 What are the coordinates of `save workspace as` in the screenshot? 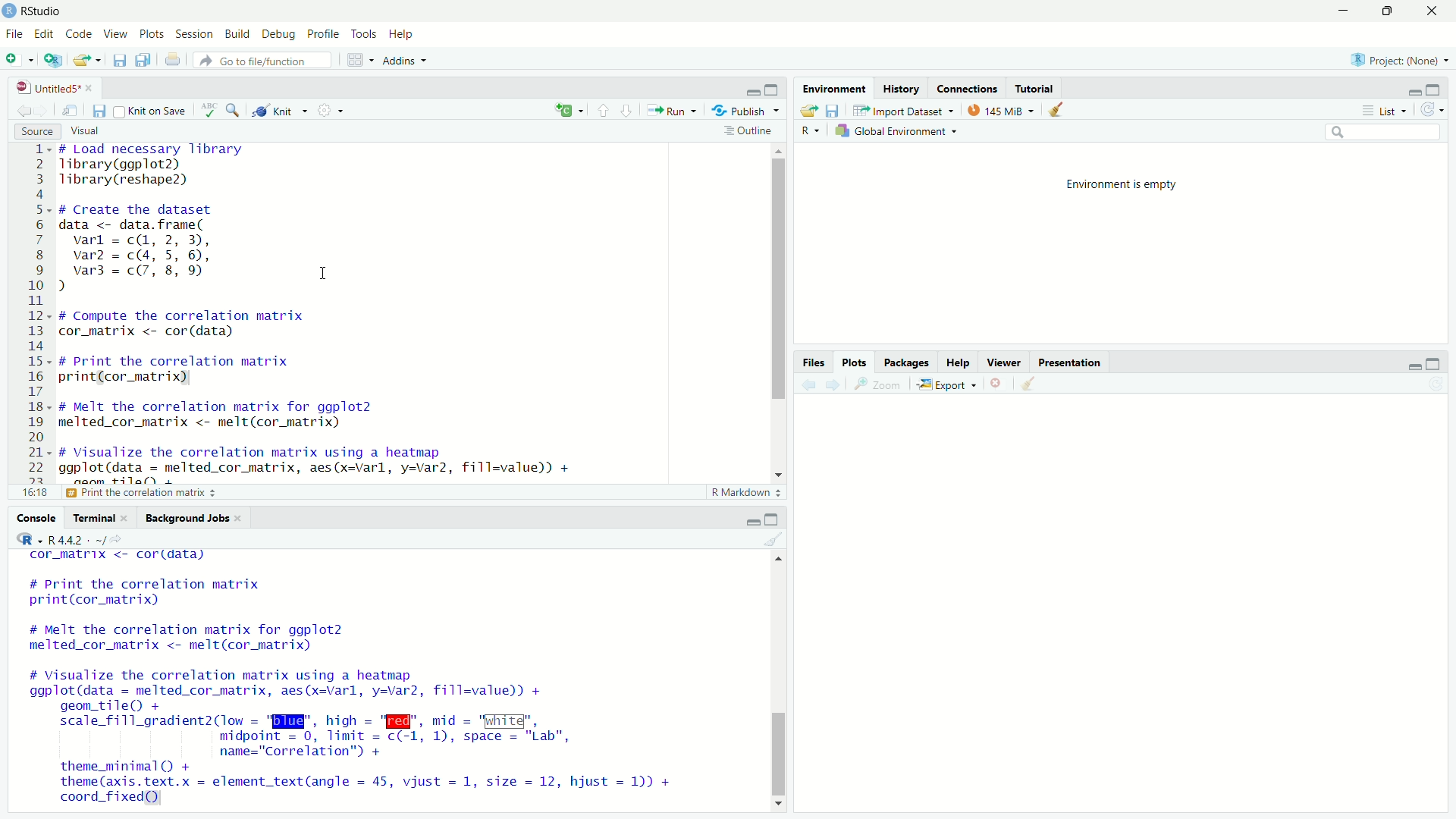 It's located at (835, 110).